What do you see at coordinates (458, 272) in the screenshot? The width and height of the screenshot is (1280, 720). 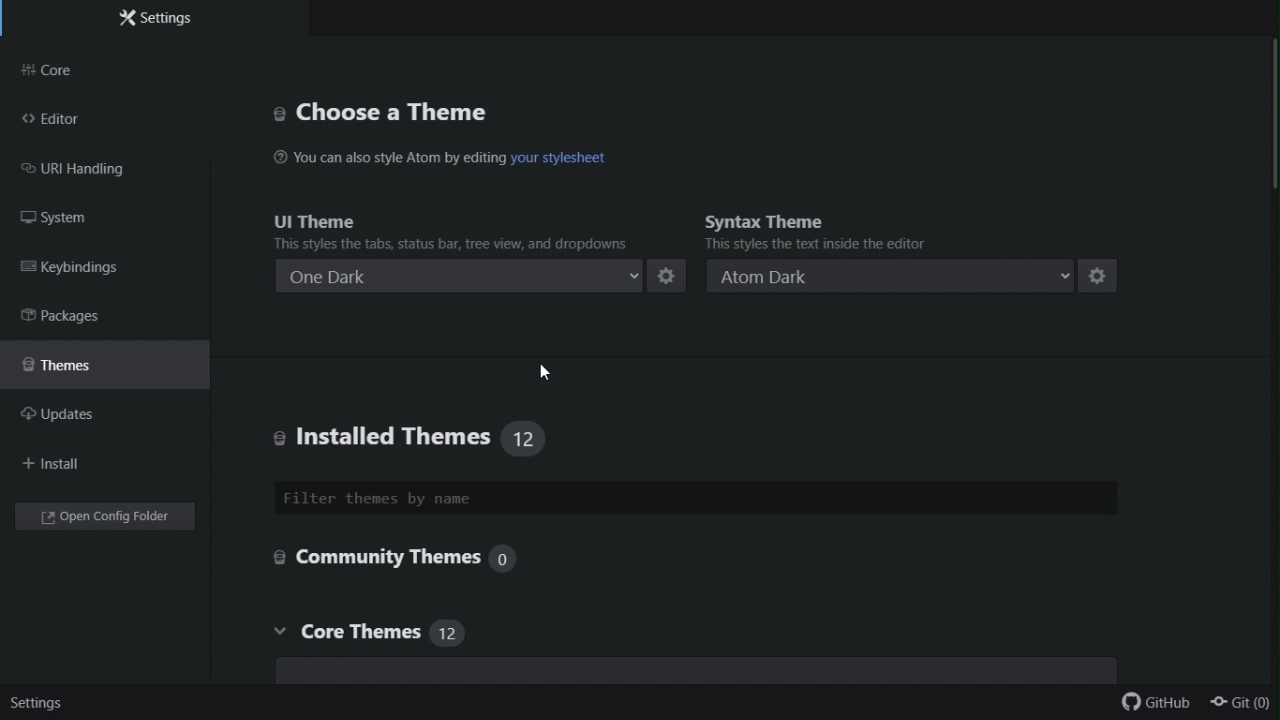 I see `One dark enabled` at bounding box center [458, 272].